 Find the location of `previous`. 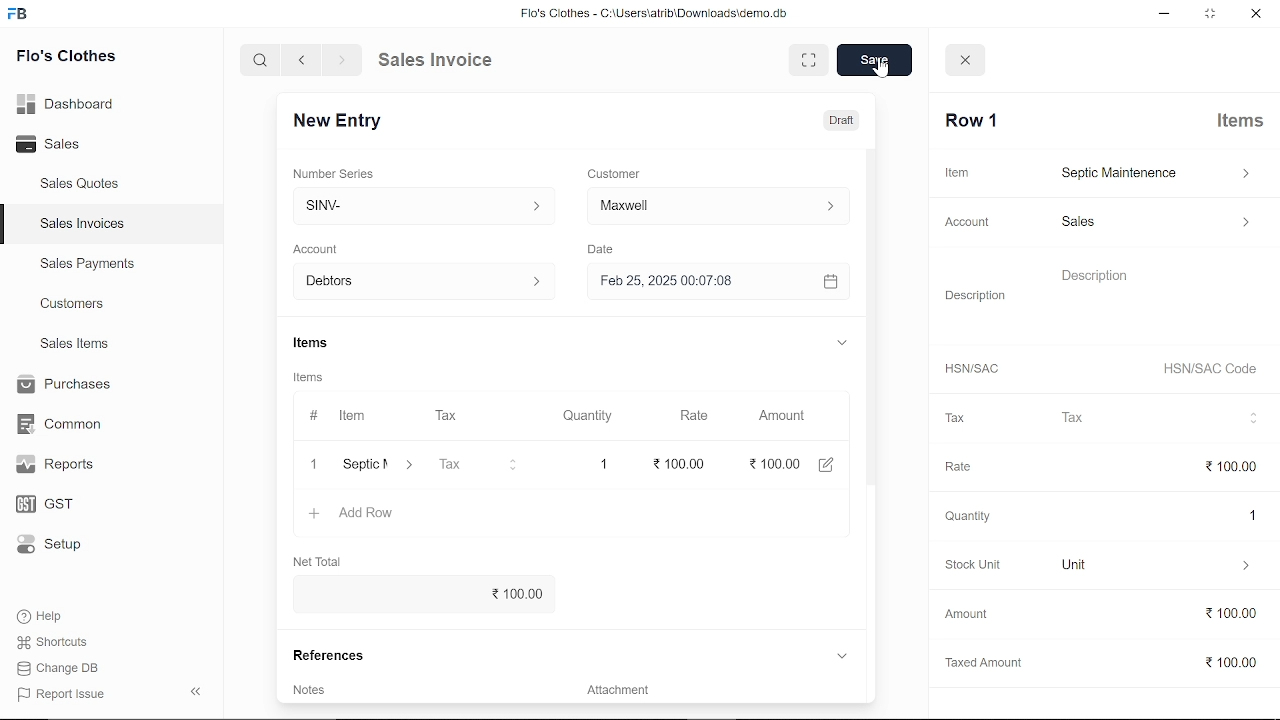

previous is located at coordinates (303, 60).